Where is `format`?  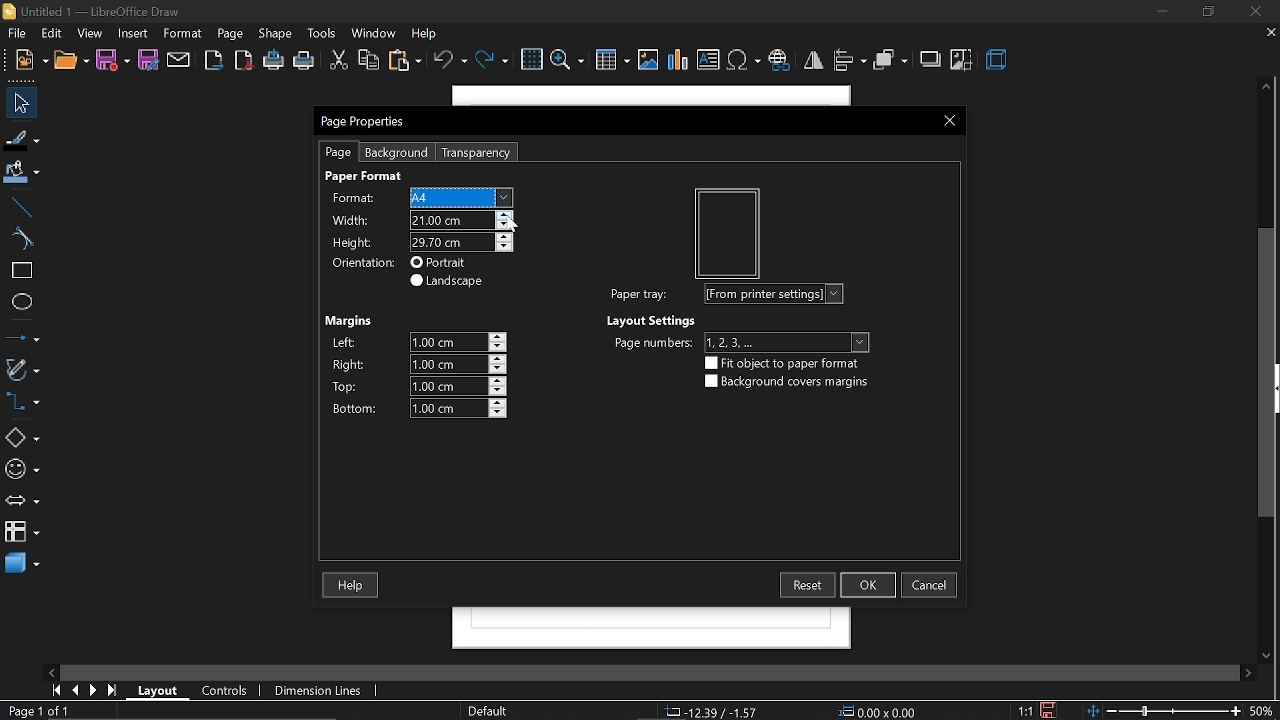 format is located at coordinates (353, 196).